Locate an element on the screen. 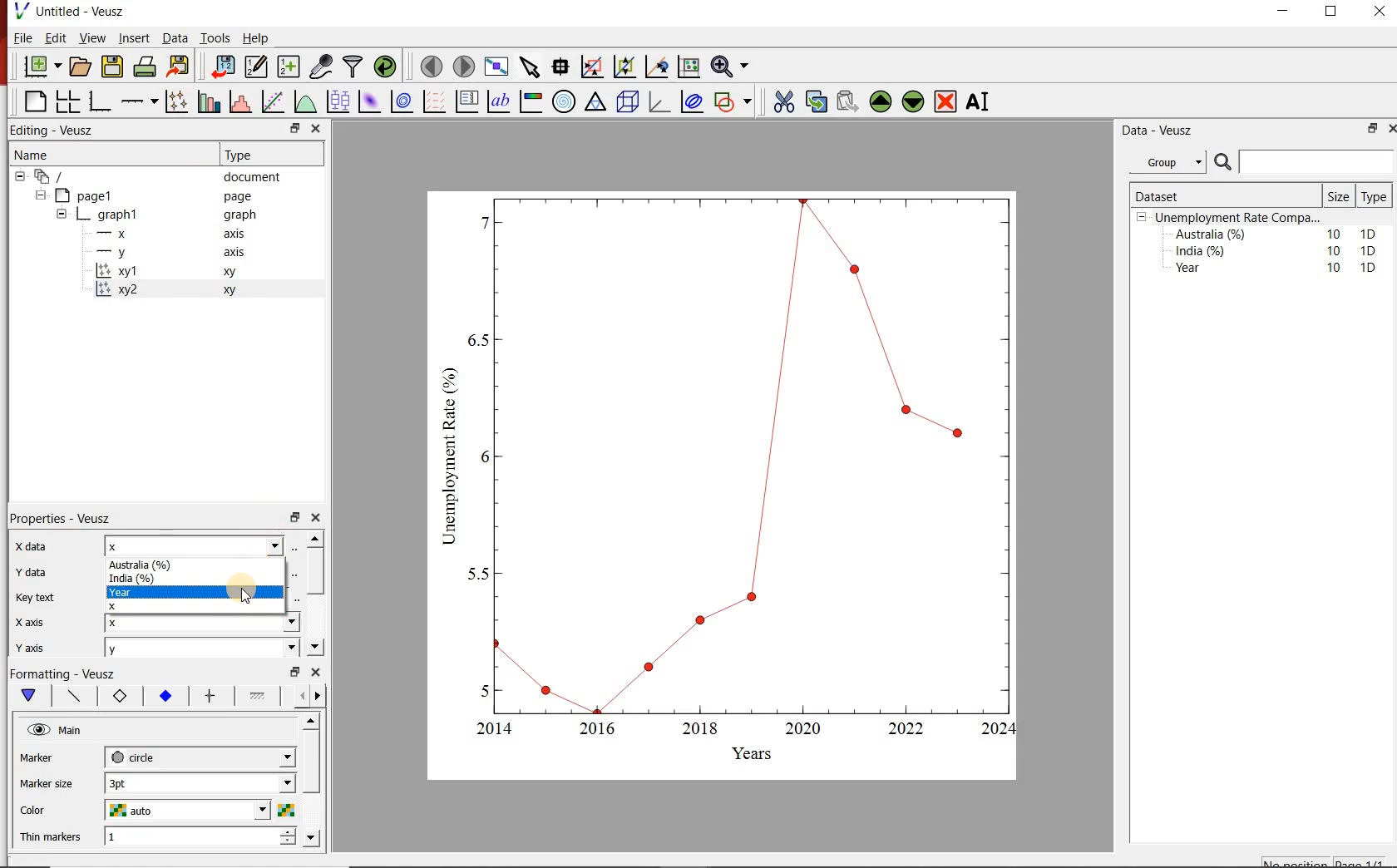 This screenshot has height=868, width=1397. new document is located at coordinates (43, 66).